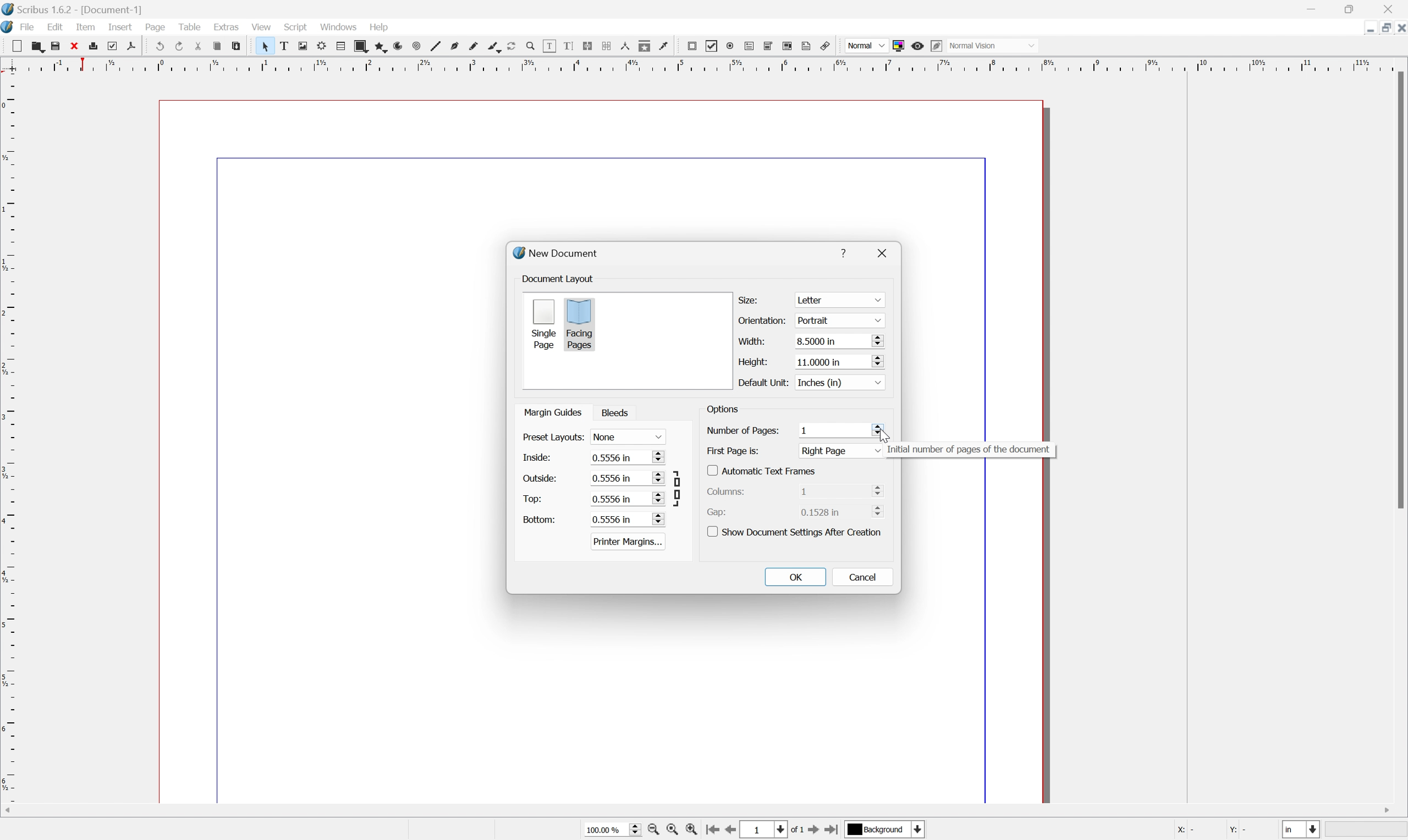 The height and width of the screenshot is (840, 1408). I want to click on Scribus 1.6.2 - [Document-1], so click(76, 9).